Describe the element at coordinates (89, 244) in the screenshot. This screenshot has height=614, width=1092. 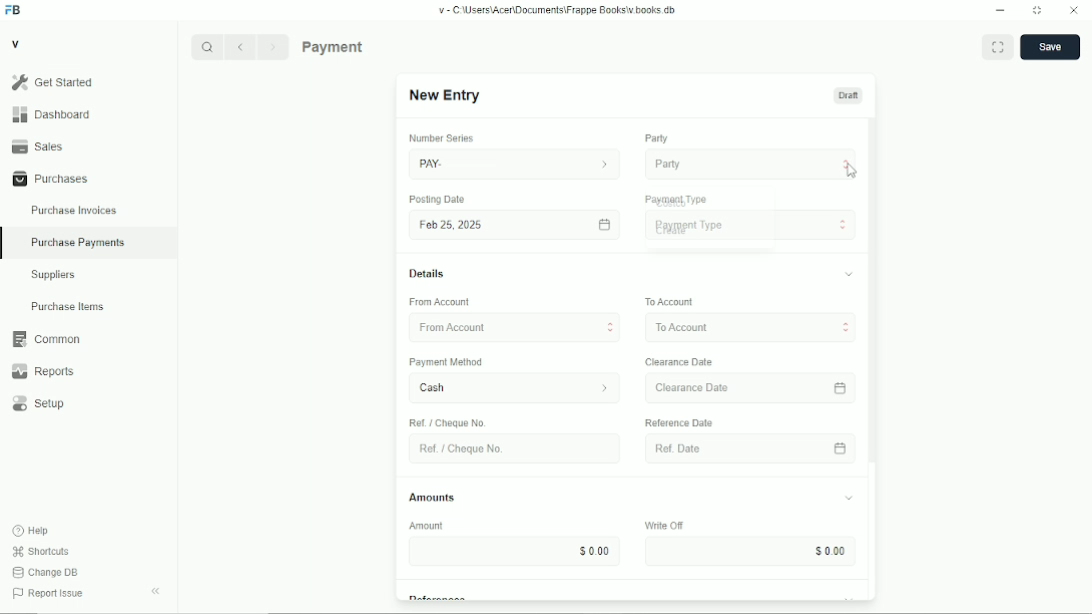
I see `Purchase Payments` at that location.